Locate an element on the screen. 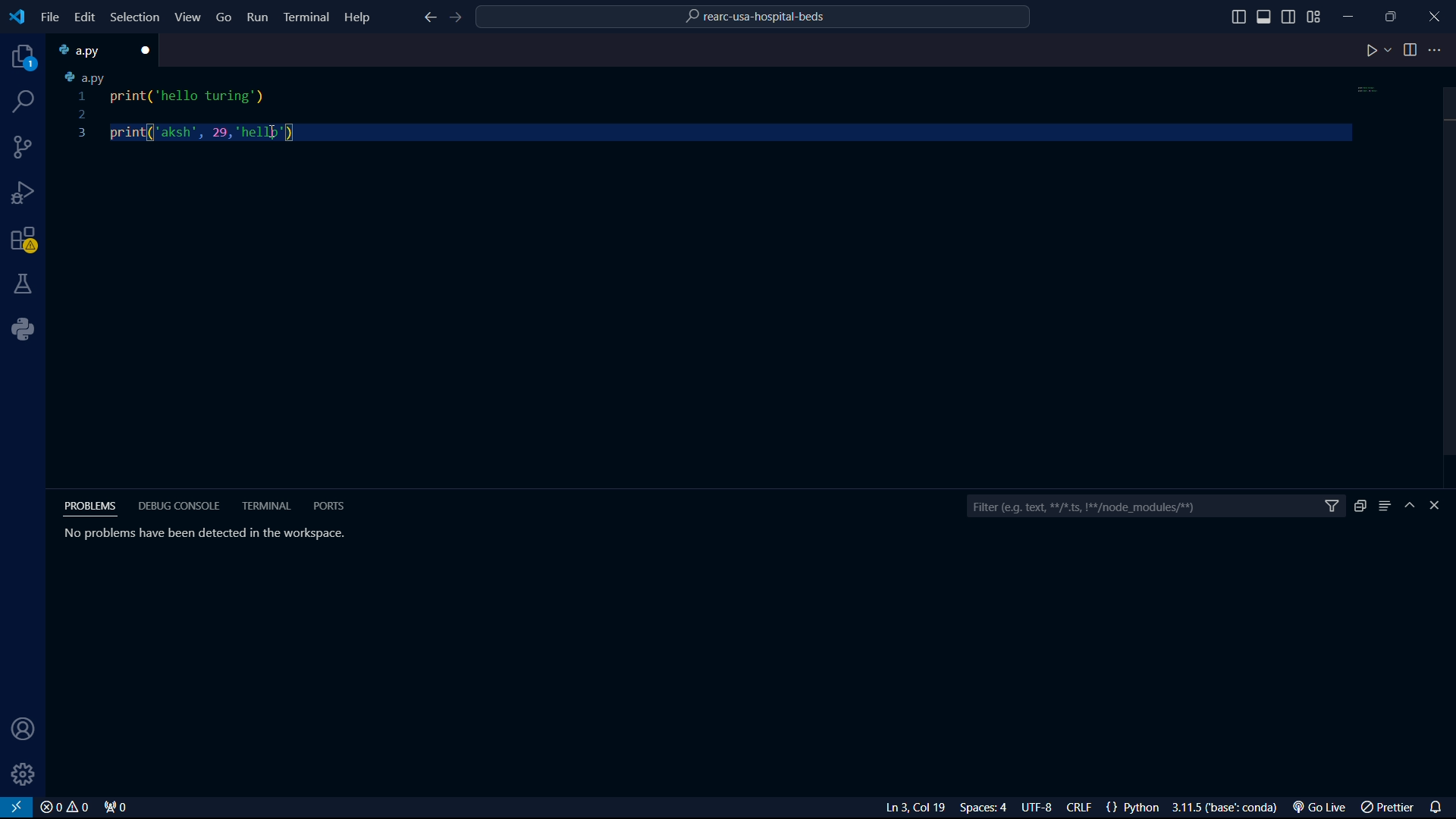 The image size is (1456, 819). close bar is located at coordinates (1442, 506).